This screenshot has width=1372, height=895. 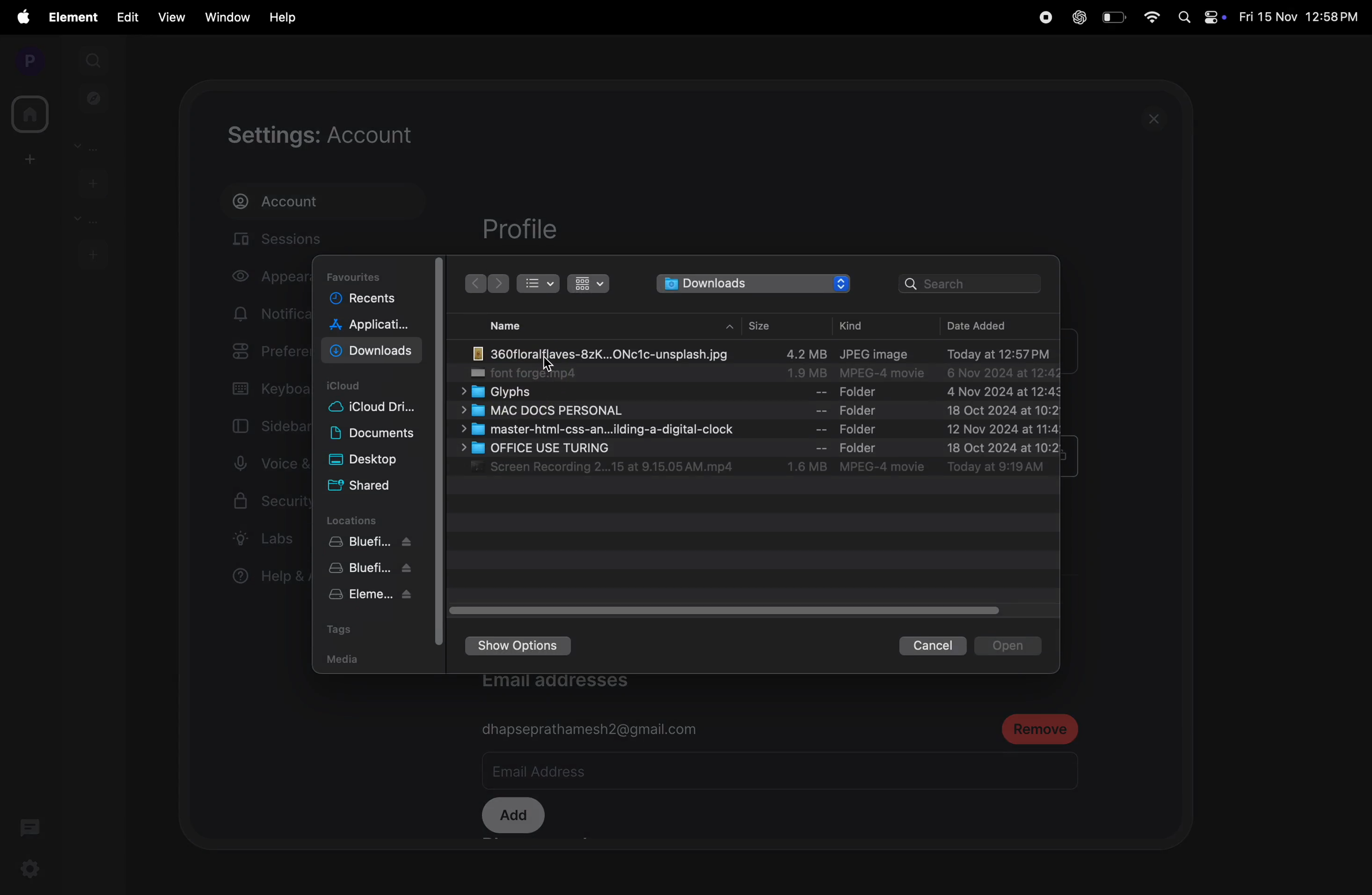 What do you see at coordinates (1153, 18) in the screenshot?
I see `wifi` at bounding box center [1153, 18].